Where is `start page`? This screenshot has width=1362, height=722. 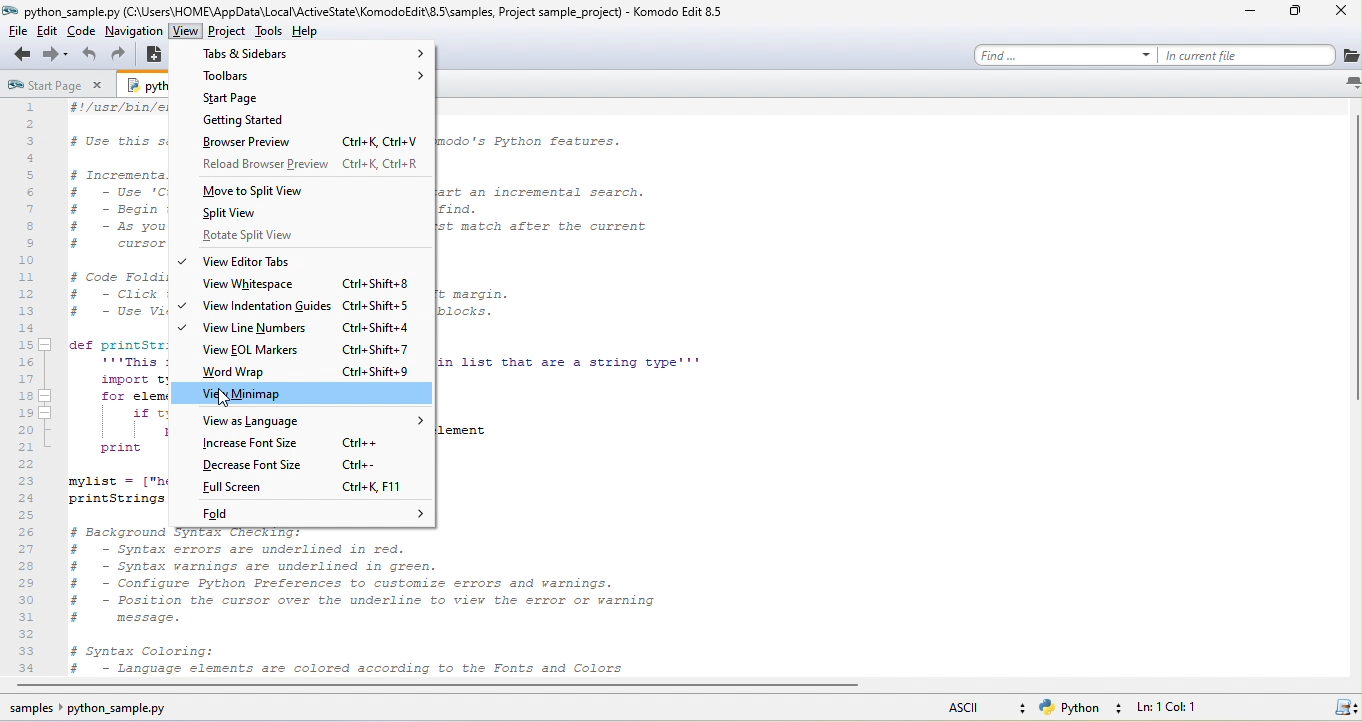
start page is located at coordinates (60, 85).